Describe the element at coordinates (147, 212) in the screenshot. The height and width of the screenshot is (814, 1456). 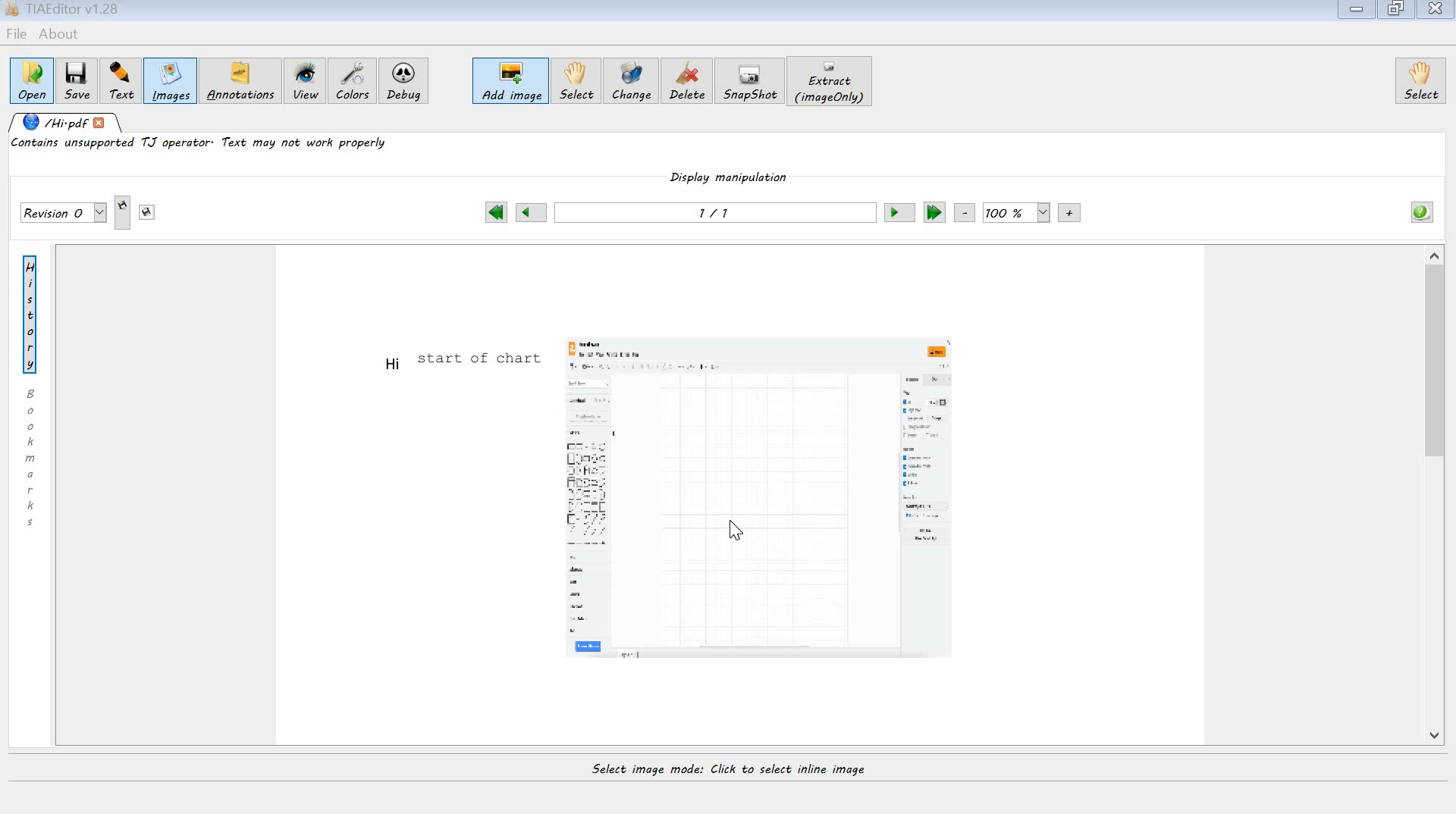
I see `saves this revision to another file` at that location.